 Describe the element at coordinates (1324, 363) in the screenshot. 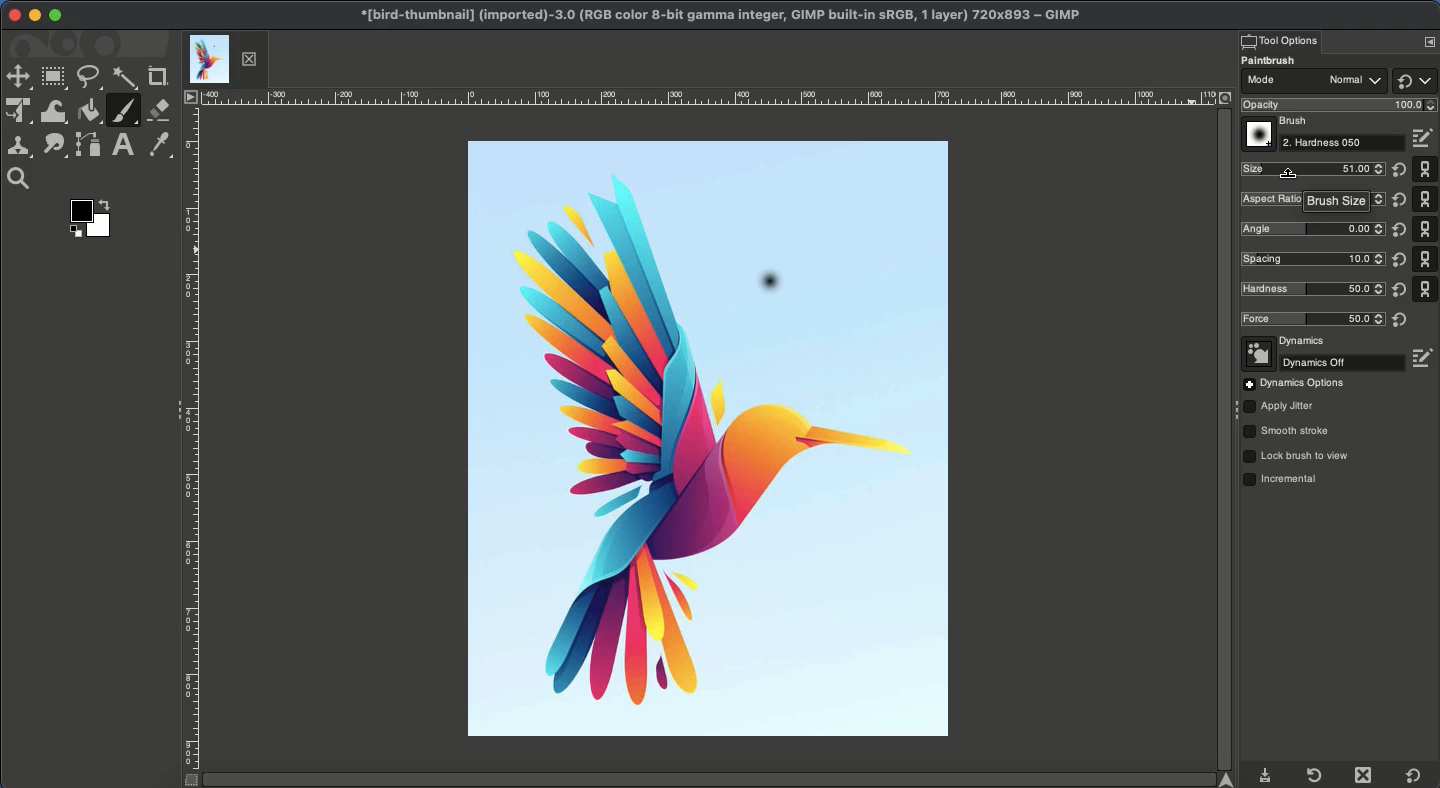

I see `Off` at that location.